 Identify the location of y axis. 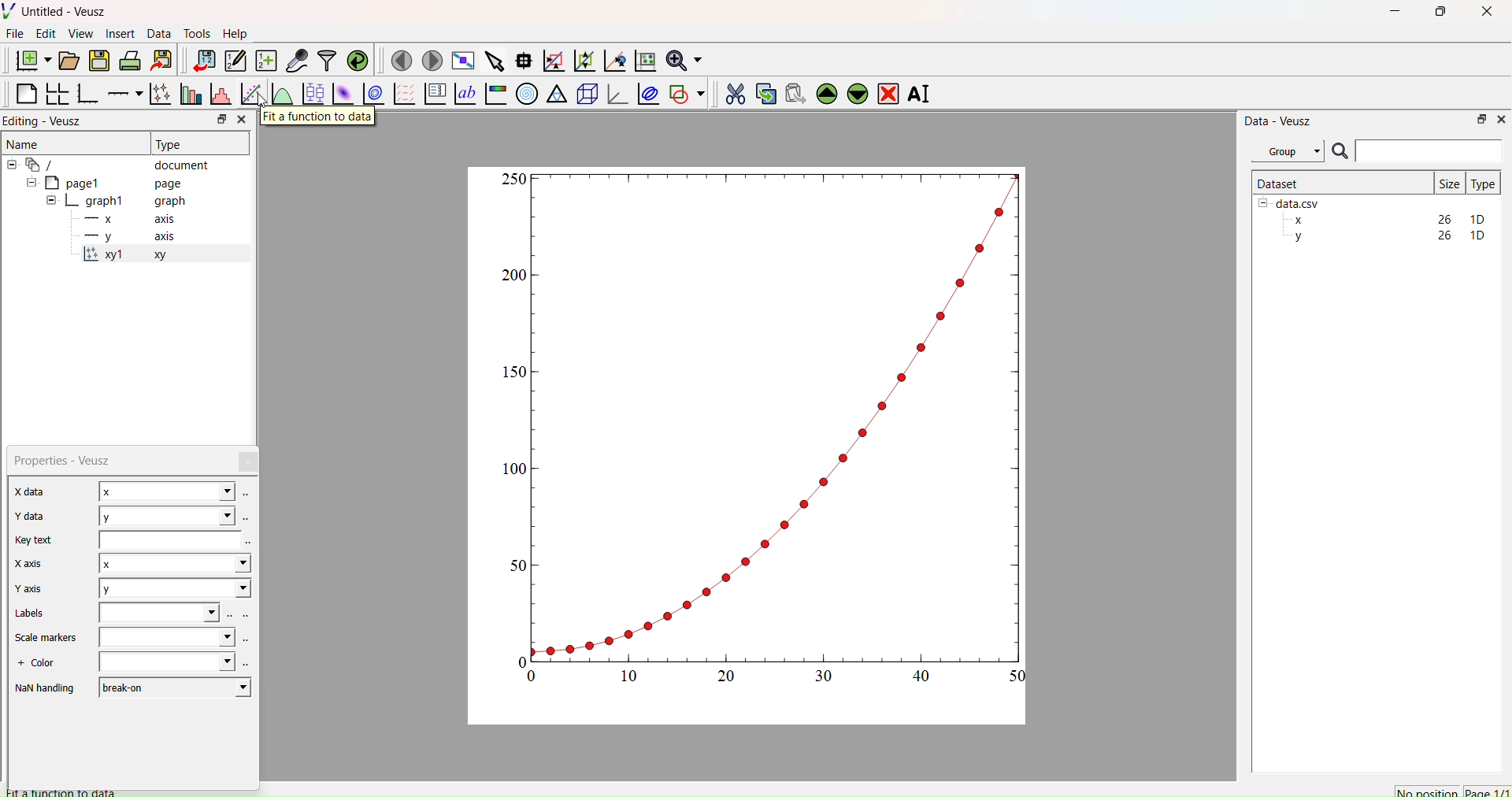
(120, 236).